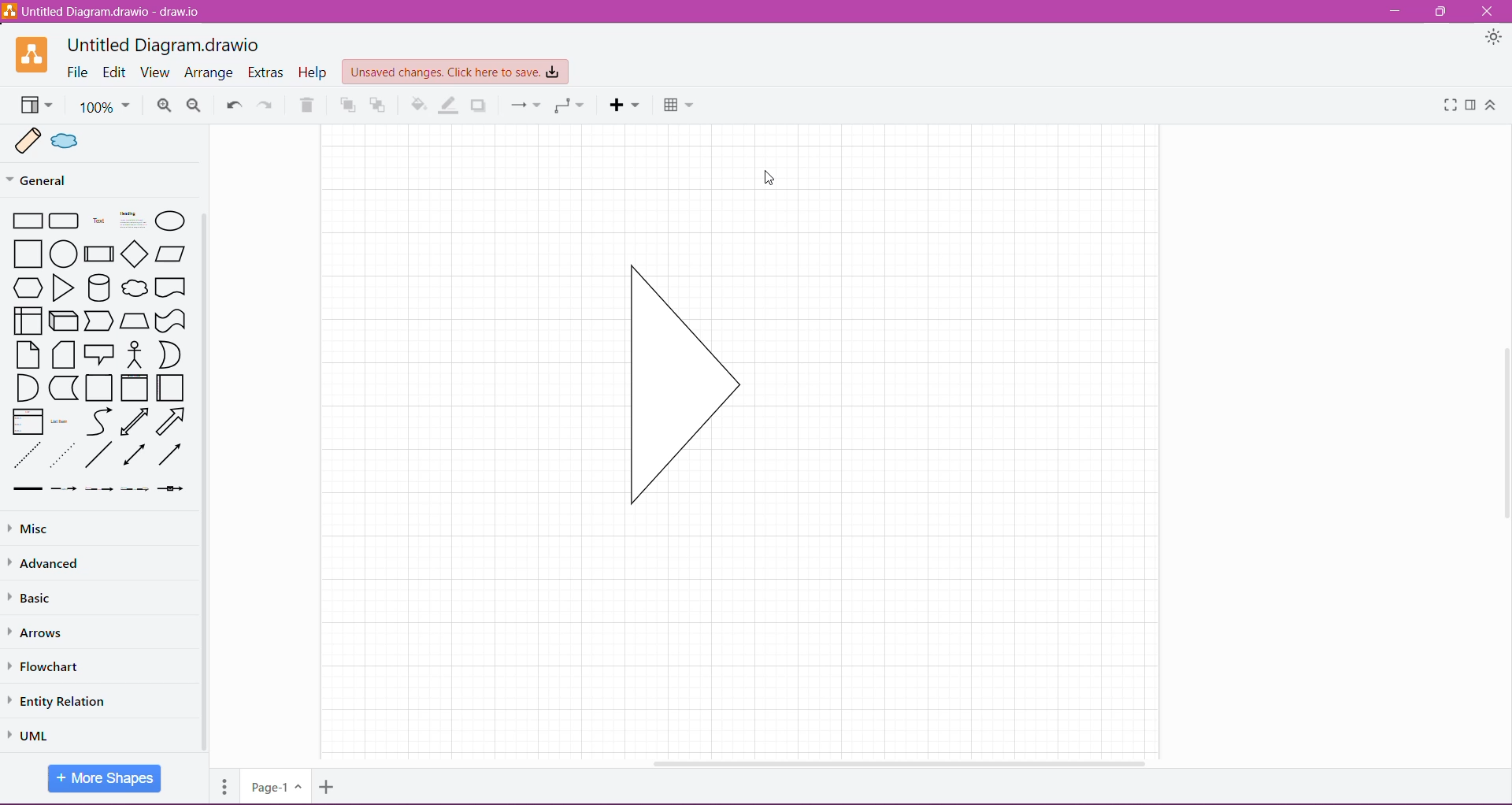  I want to click on More Shapes, so click(106, 778).